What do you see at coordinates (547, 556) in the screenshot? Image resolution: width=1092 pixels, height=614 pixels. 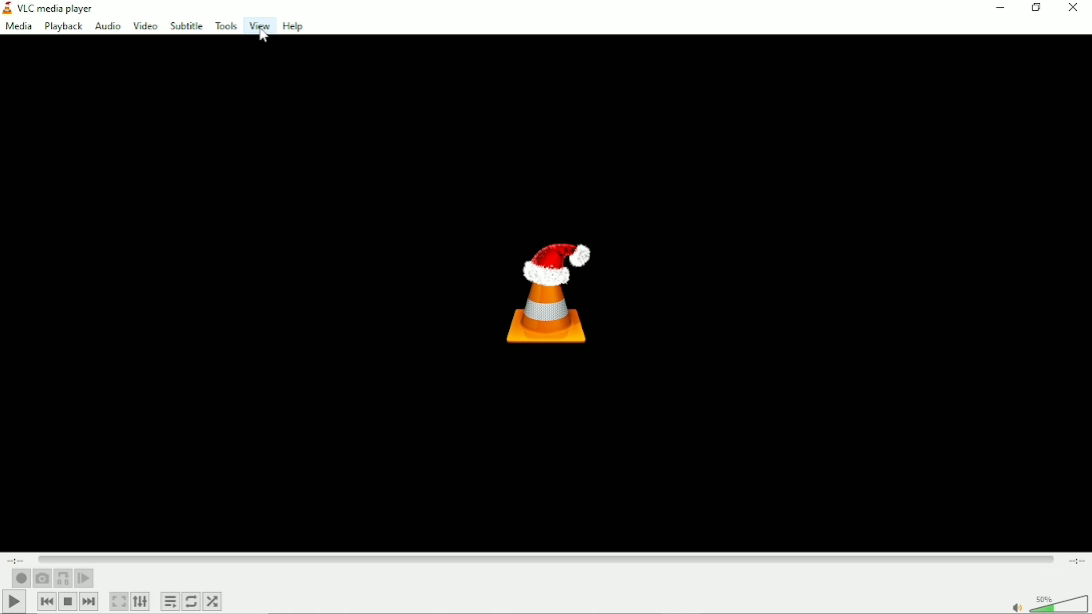 I see `Play duration` at bounding box center [547, 556].